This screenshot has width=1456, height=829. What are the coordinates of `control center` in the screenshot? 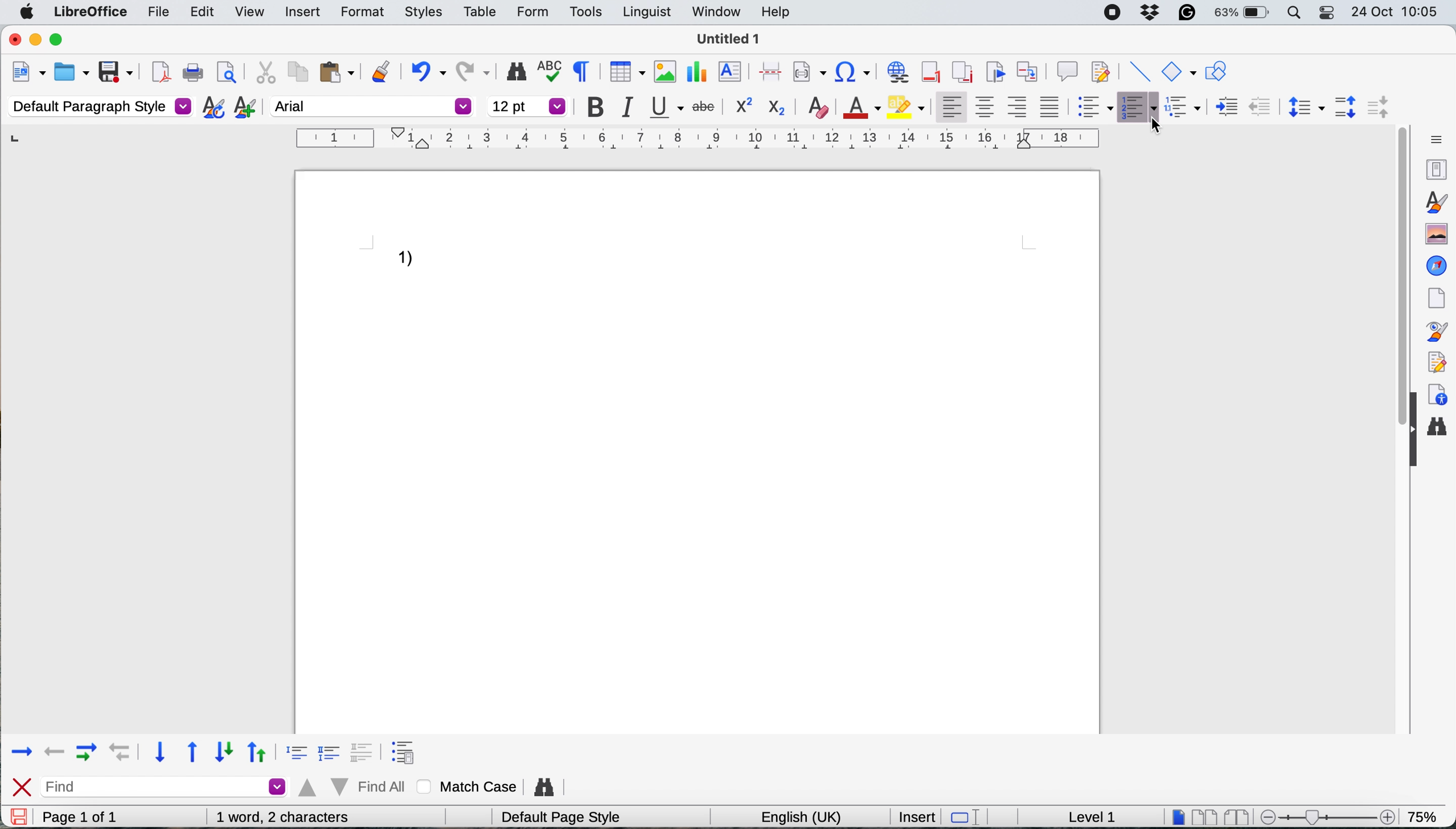 It's located at (1324, 13).